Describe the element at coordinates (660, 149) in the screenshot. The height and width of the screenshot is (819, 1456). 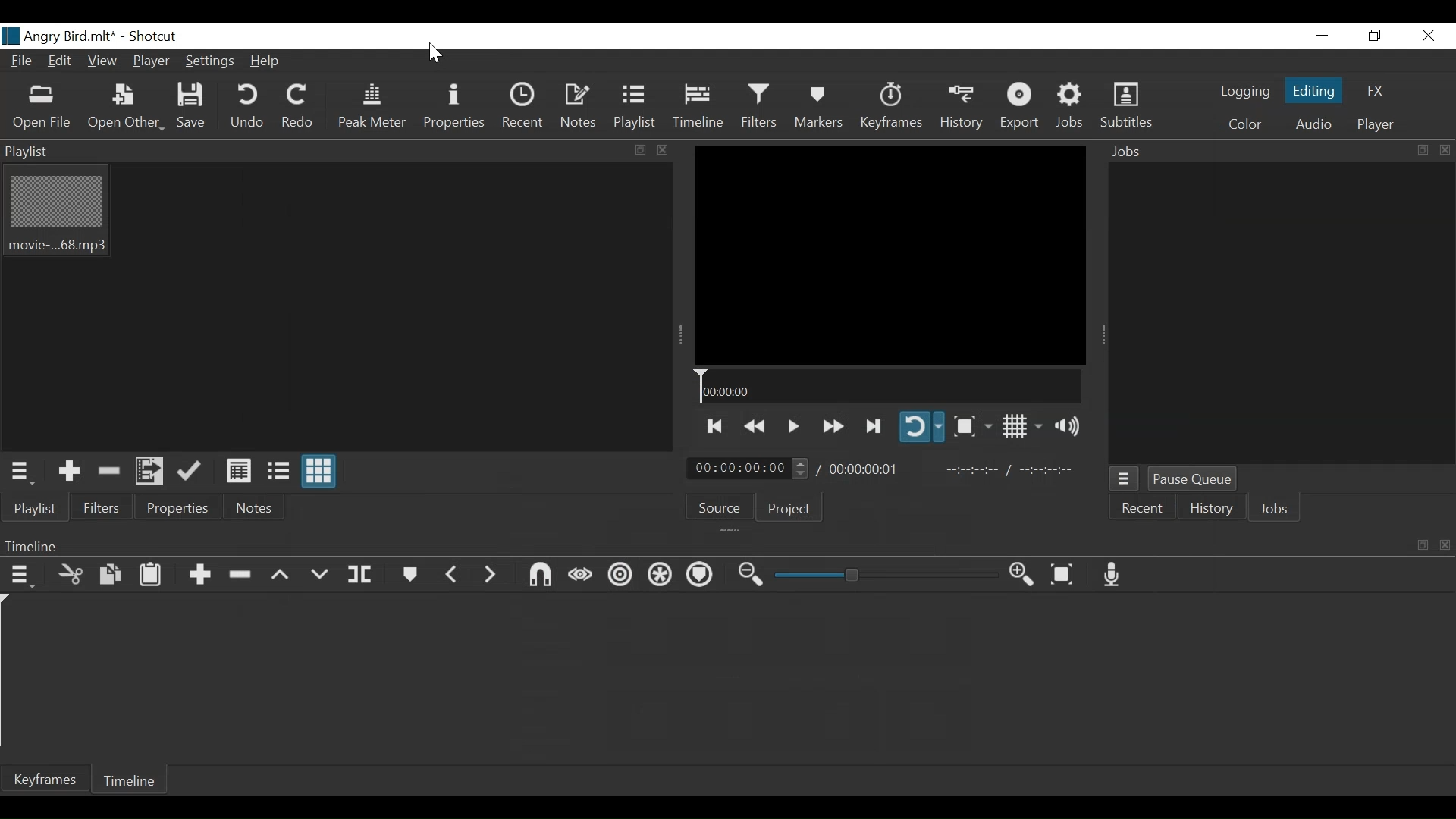
I see `close` at that location.